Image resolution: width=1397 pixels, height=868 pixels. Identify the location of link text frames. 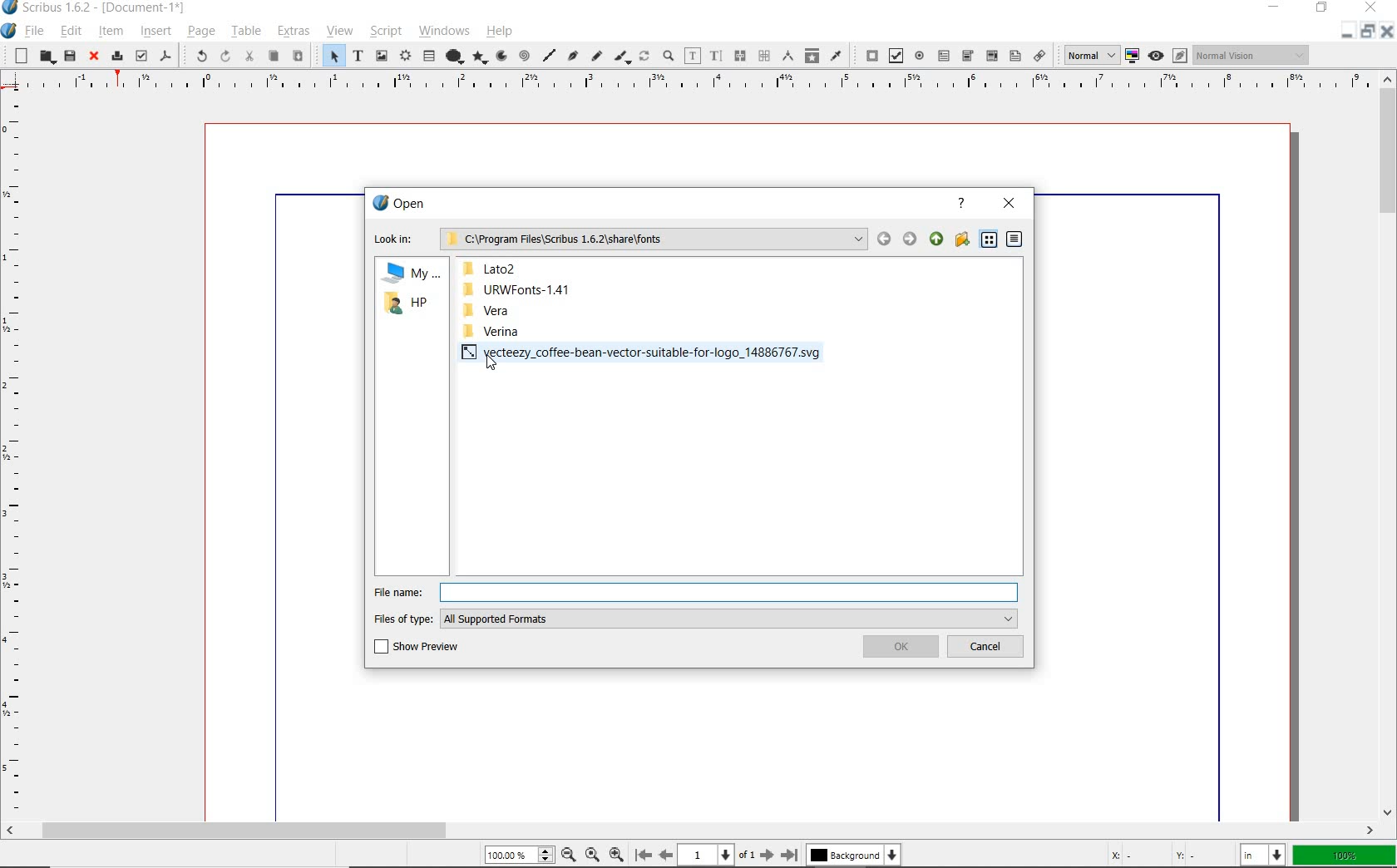
(739, 56).